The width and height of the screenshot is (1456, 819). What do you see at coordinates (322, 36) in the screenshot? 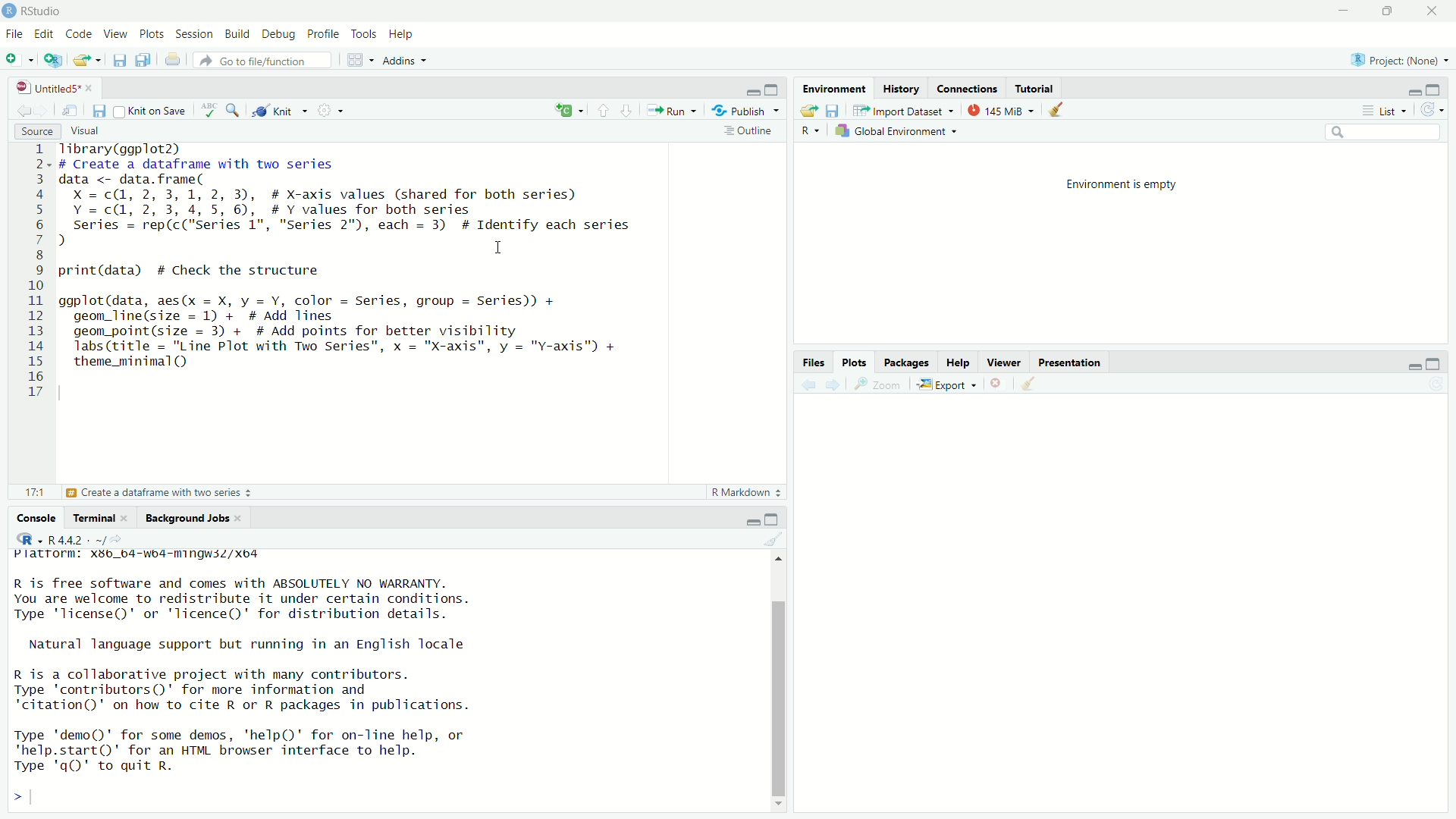
I see `Profile` at bounding box center [322, 36].